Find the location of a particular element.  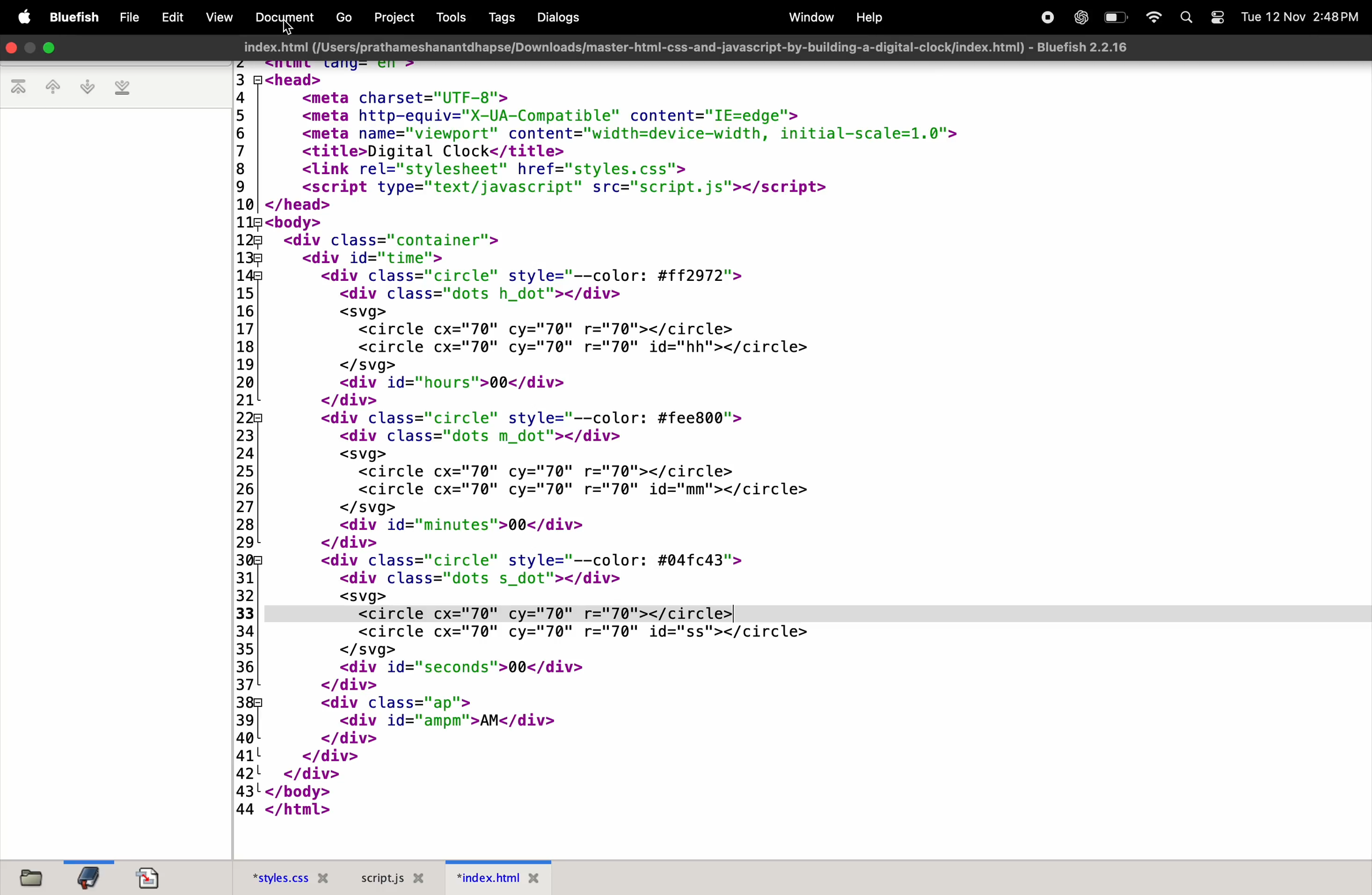

projects is located at coordinates (395, 17).